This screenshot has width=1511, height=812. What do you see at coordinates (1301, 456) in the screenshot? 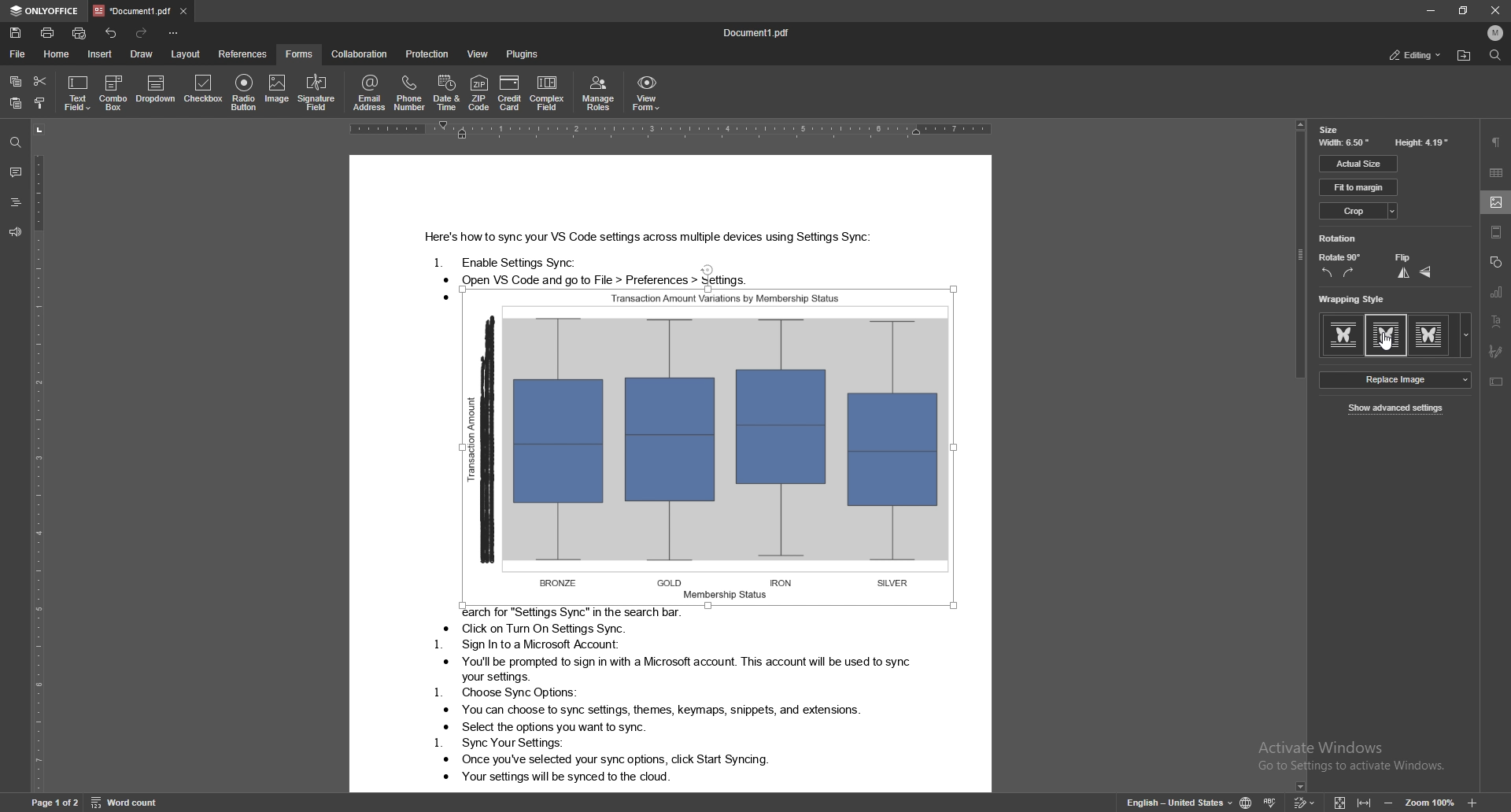
I see `scroll bar` at bounding box center [1301, 456].